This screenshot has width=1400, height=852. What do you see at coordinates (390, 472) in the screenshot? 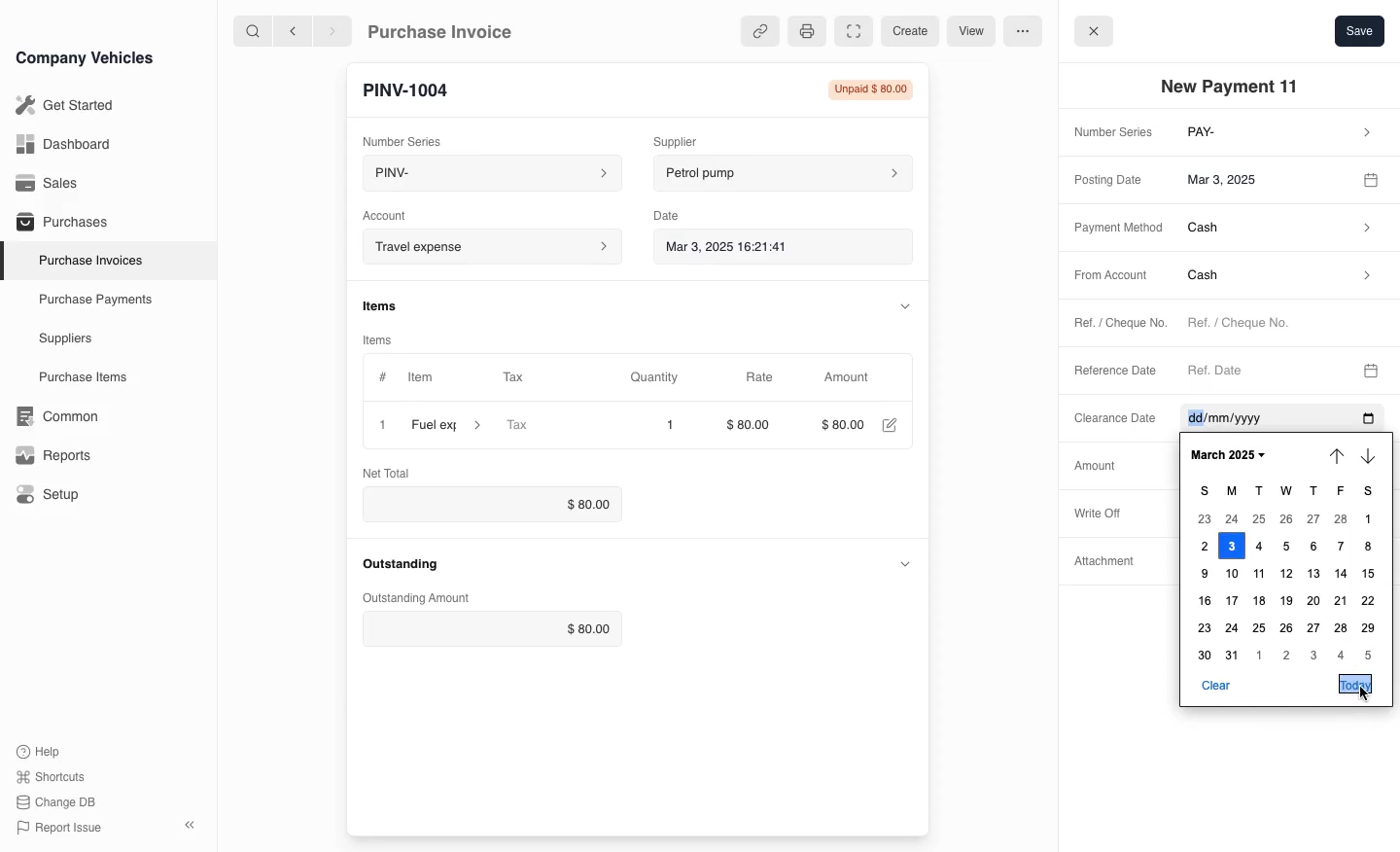
I see `Net Total` at bounding box center [390, 472].